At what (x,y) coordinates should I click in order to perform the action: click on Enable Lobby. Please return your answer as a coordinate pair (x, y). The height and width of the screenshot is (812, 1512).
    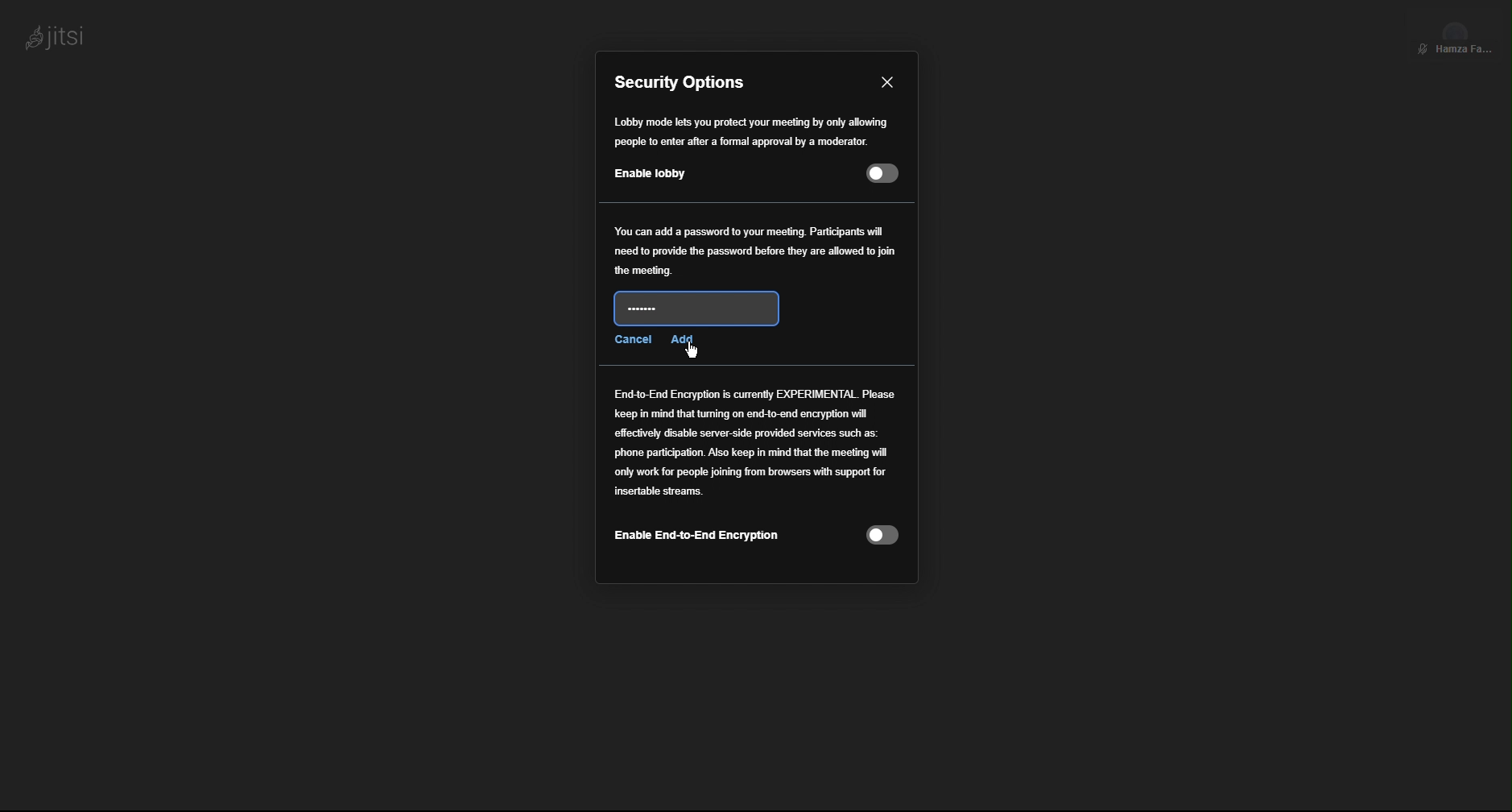
    Looking at the image, I should click on (751, 148).